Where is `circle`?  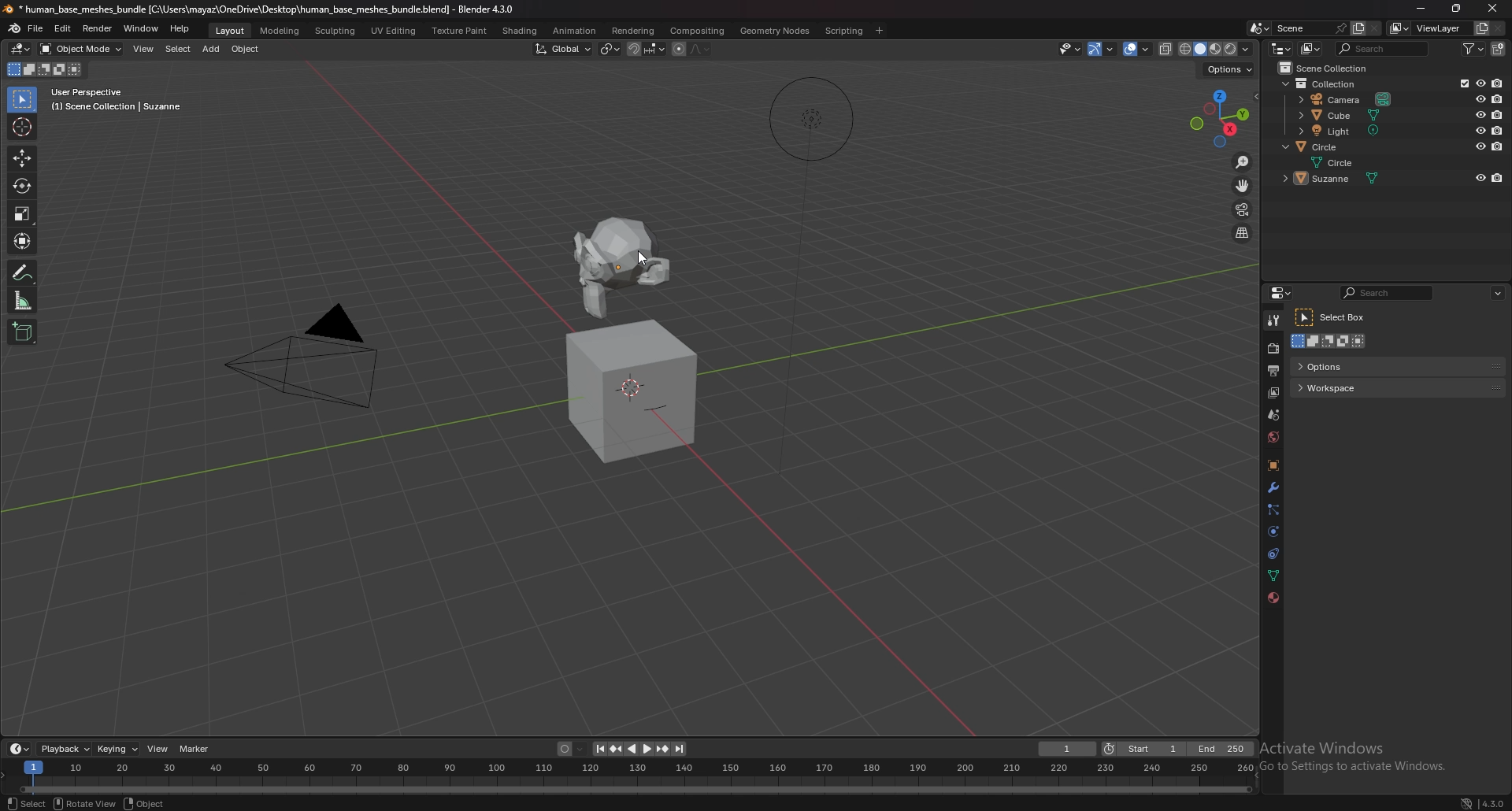 circle is located at coordinates (1321, 146).